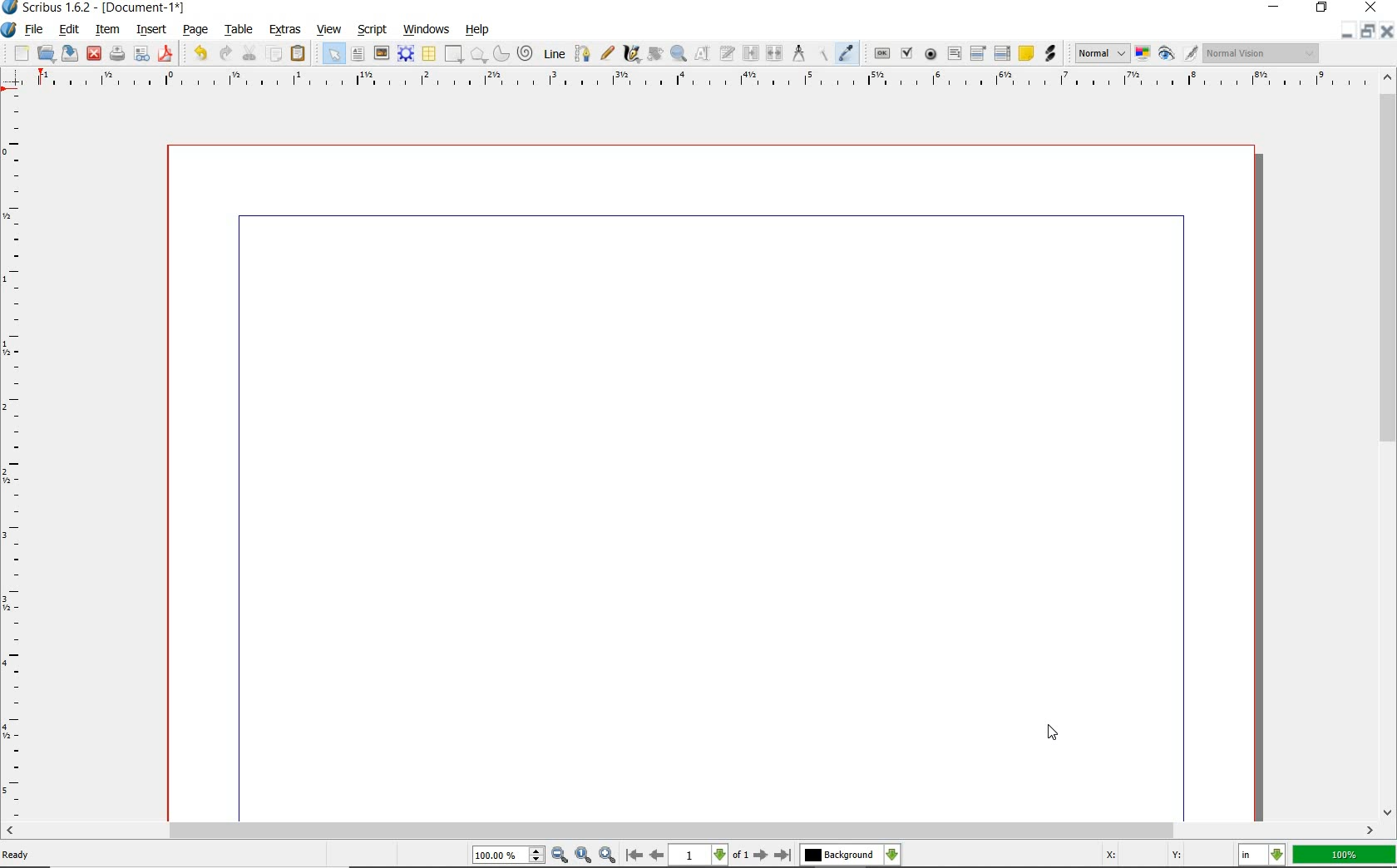  Describe the element at coordinates (1100, 53) in the screenshot. I see `select image preview mode` at that location.